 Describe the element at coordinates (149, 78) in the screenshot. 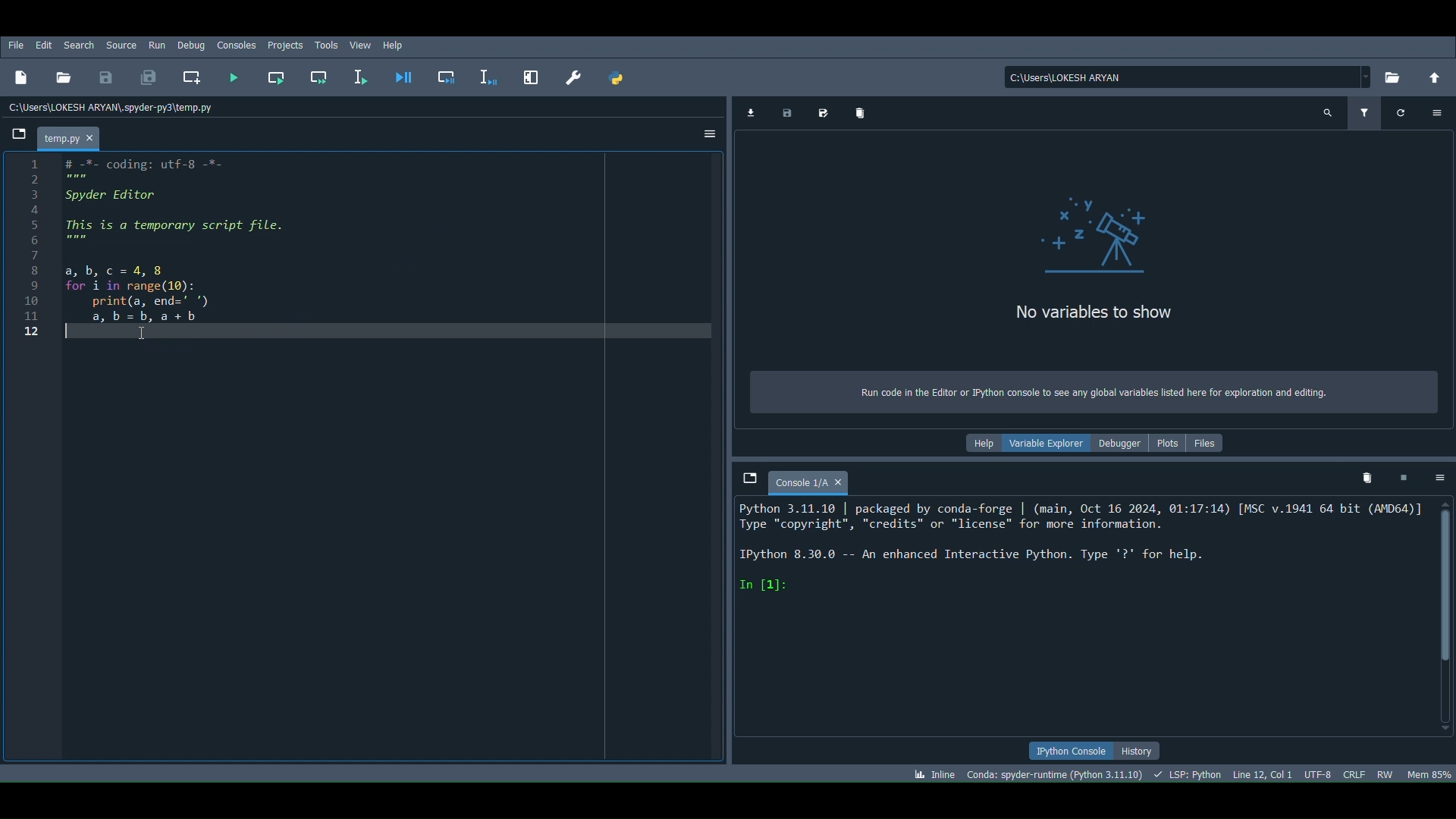

I see `Save all files (Ctrl + Alt + S)` at that location.